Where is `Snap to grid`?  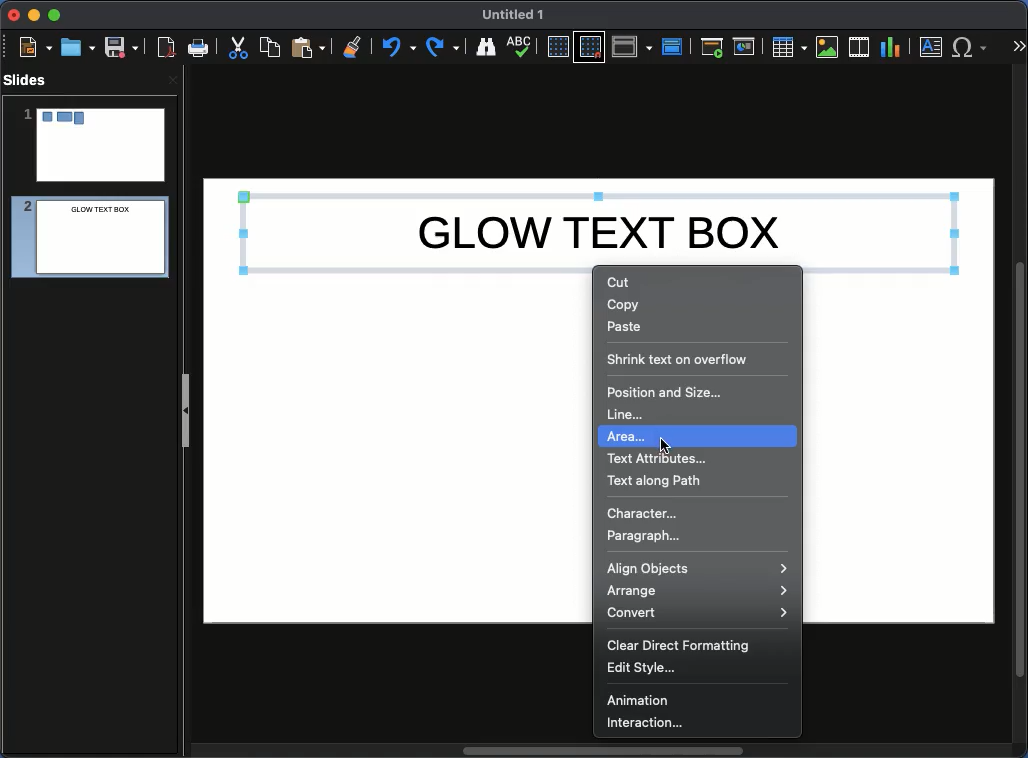 Snap to grid is located at coordinates (592, 46).